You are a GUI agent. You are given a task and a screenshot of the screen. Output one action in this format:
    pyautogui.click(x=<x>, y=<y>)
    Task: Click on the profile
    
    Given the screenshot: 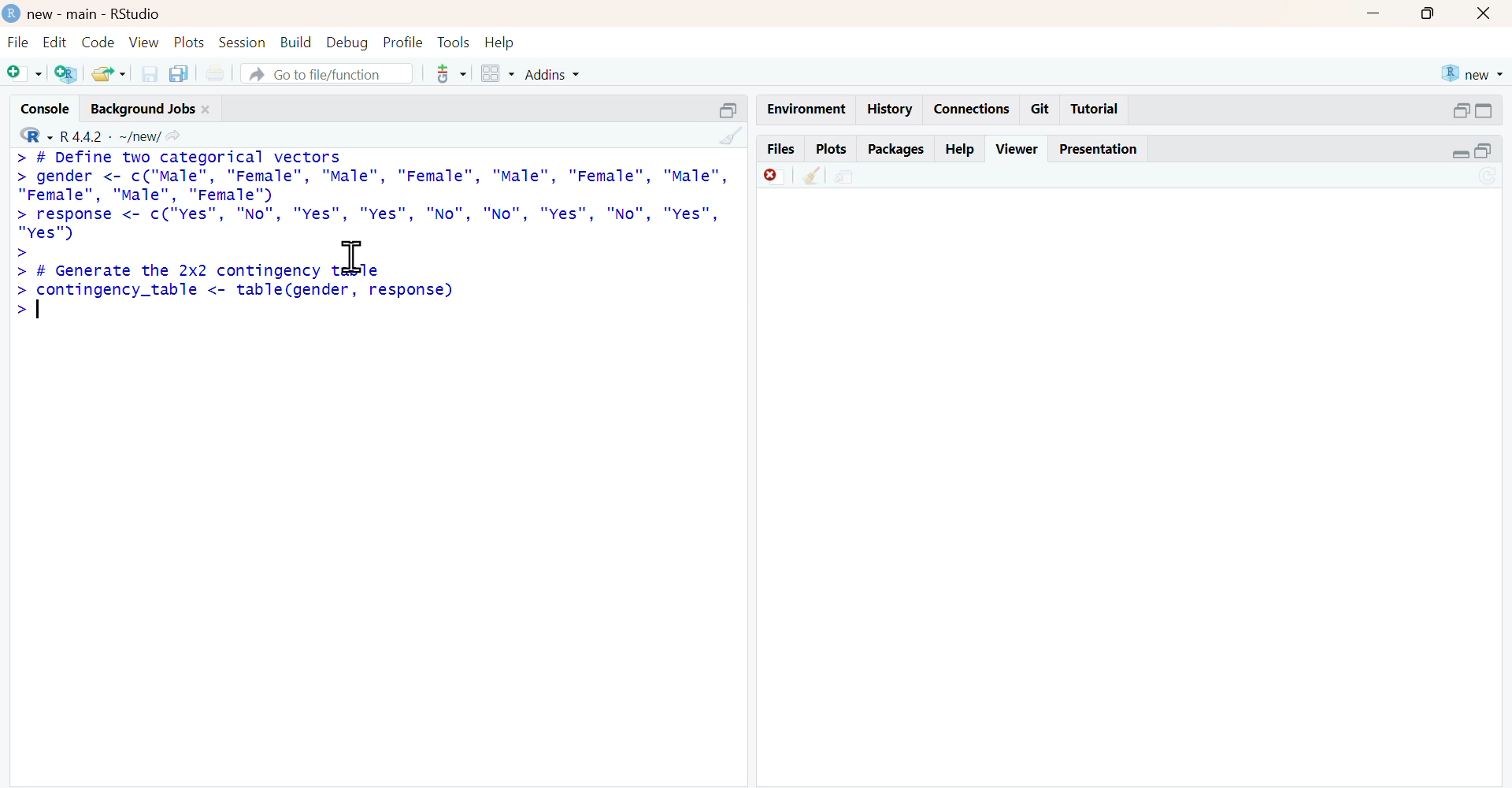 What is the action you would take?
    pyautogui.click(x=404, y=42)
    